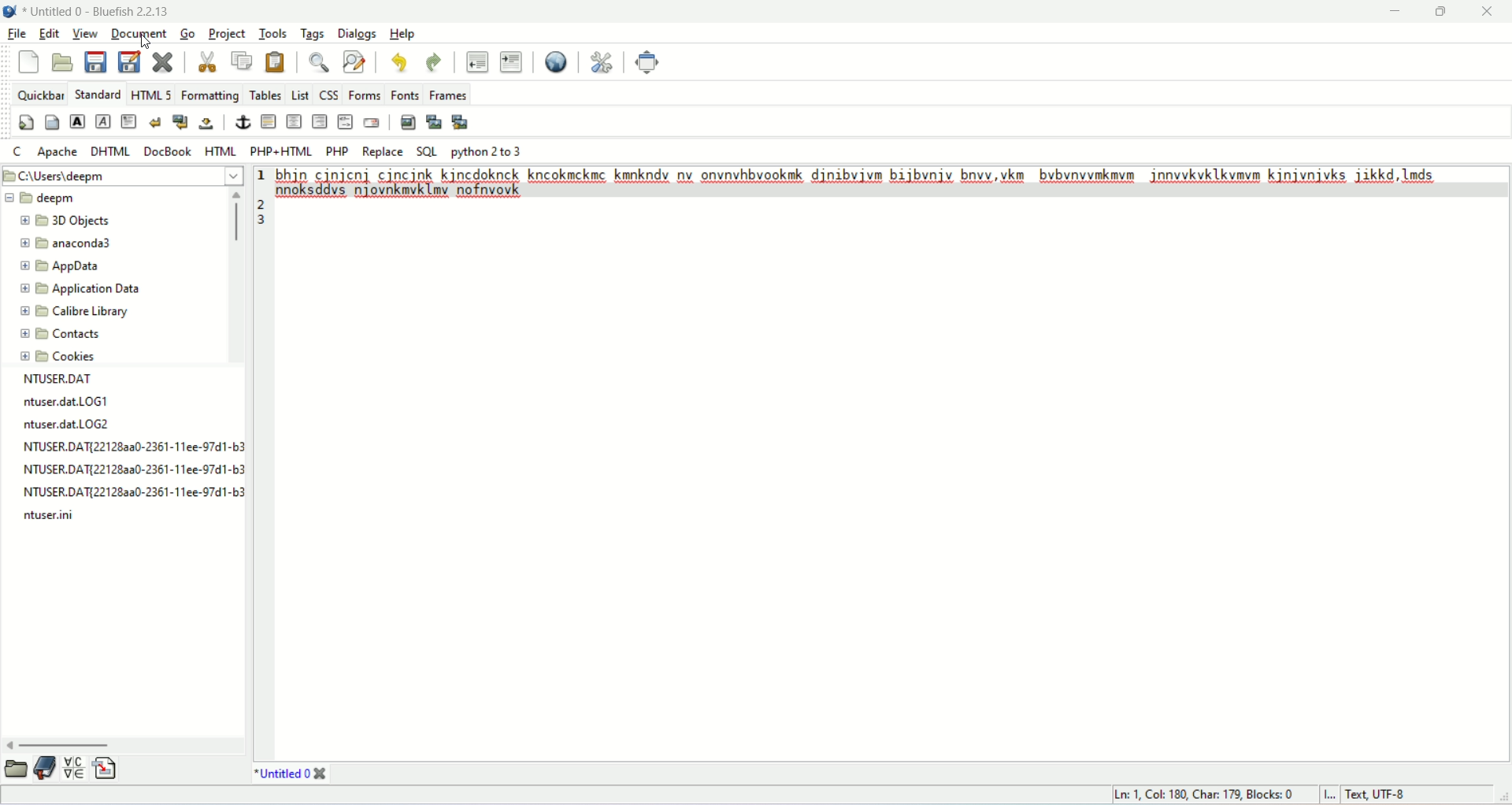 This screenshot has width=1512, height=805. Describe the element at coordinates (142, 44) in the screenshot. I see `Cursor on Document` at that location.